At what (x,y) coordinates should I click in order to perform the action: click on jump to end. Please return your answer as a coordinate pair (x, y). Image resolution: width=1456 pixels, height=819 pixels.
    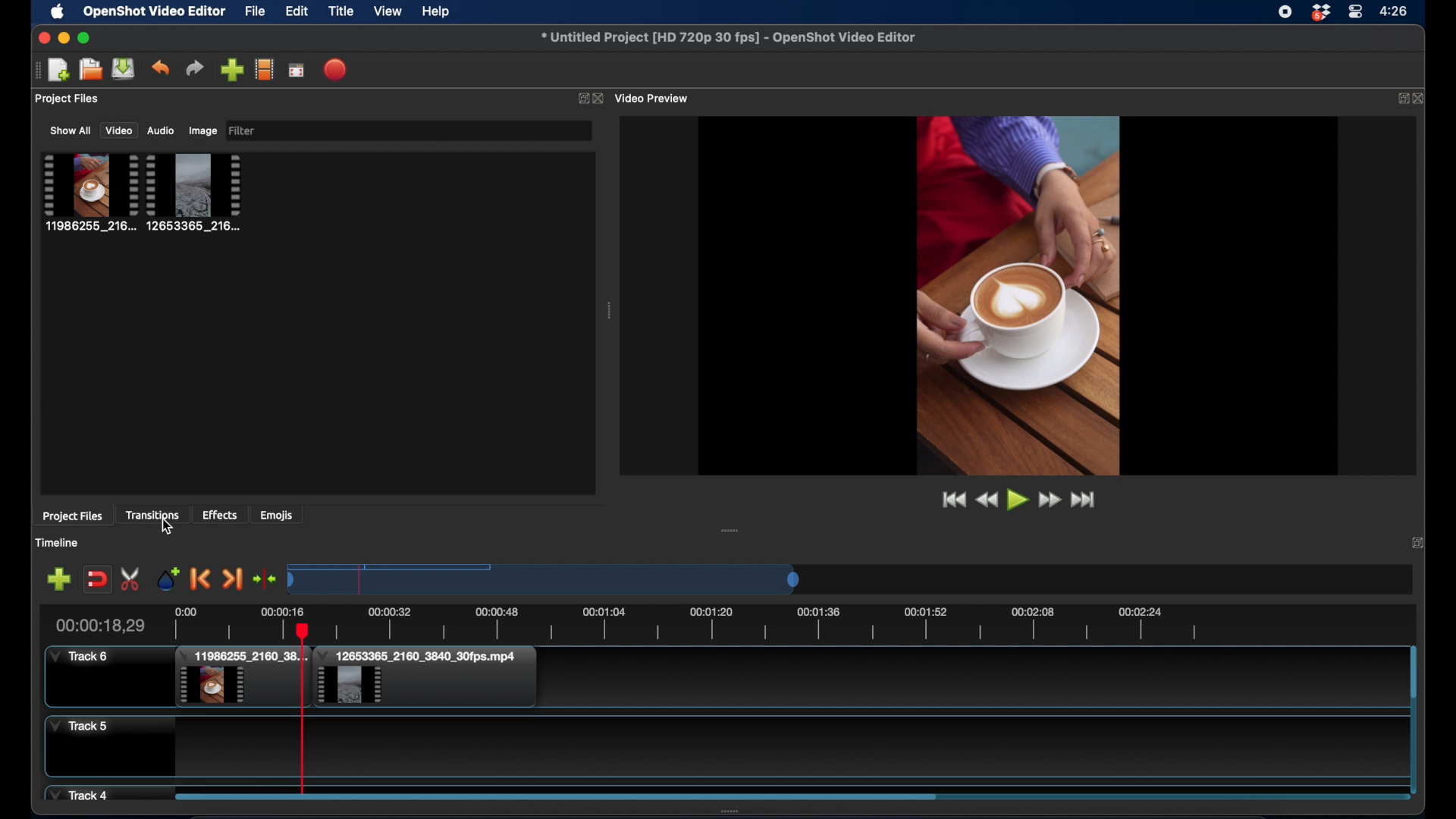
    Looking at the image, I should click on (1086, 500).